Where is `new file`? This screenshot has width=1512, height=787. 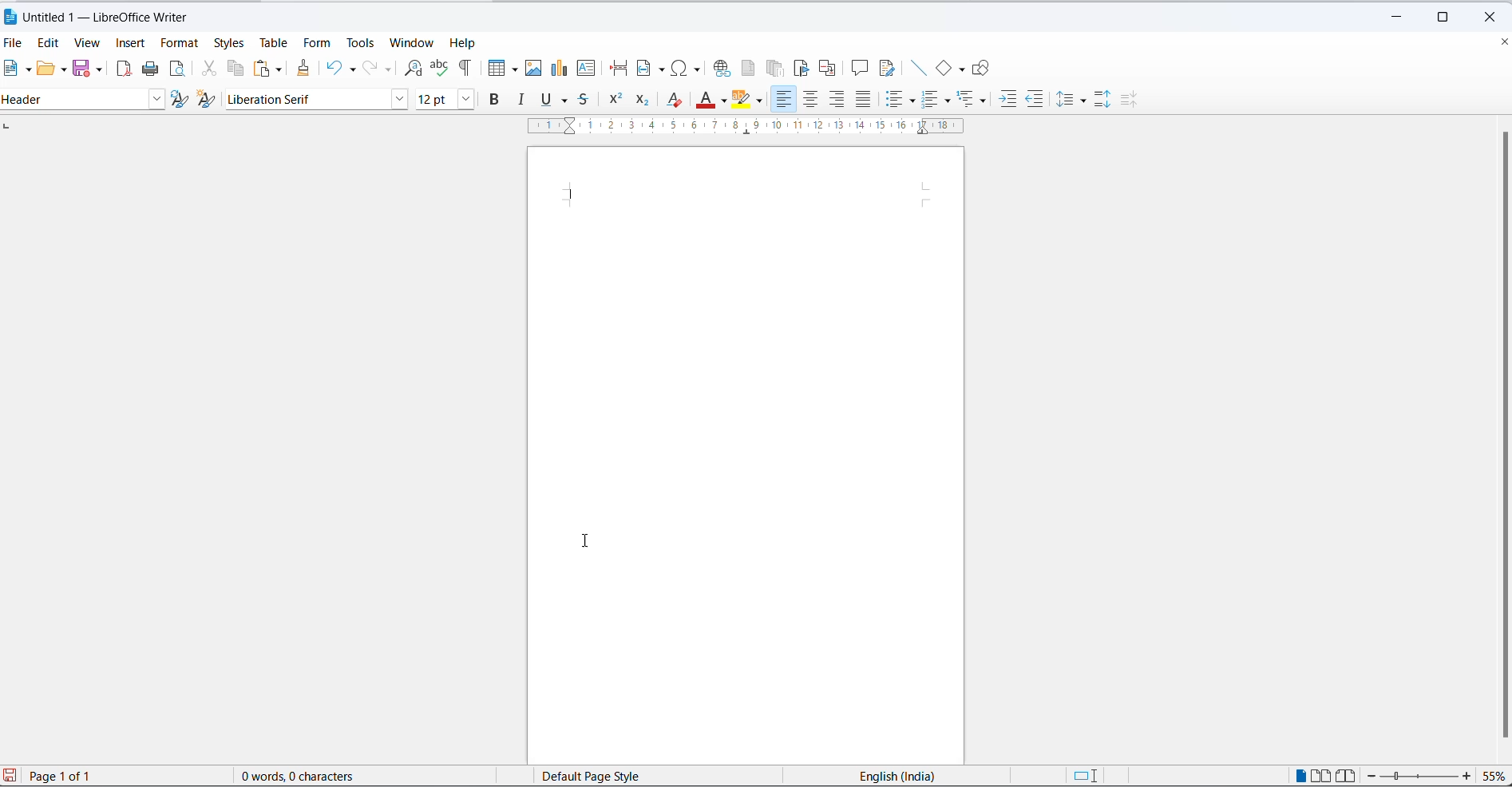
new file is located at coordinates (10, 69).